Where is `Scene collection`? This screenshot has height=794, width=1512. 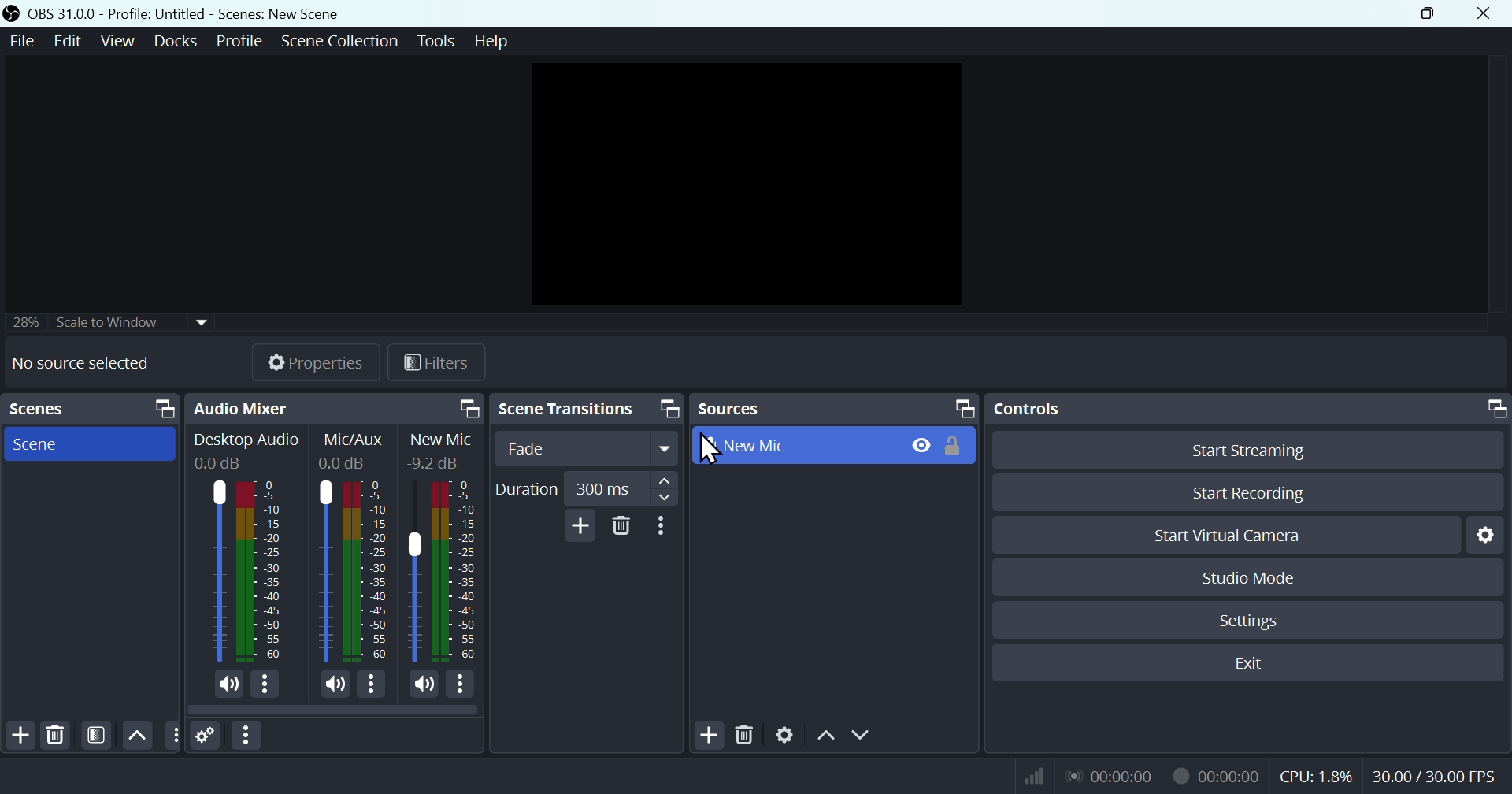
Scene collection is located at coordinates (343, 42).